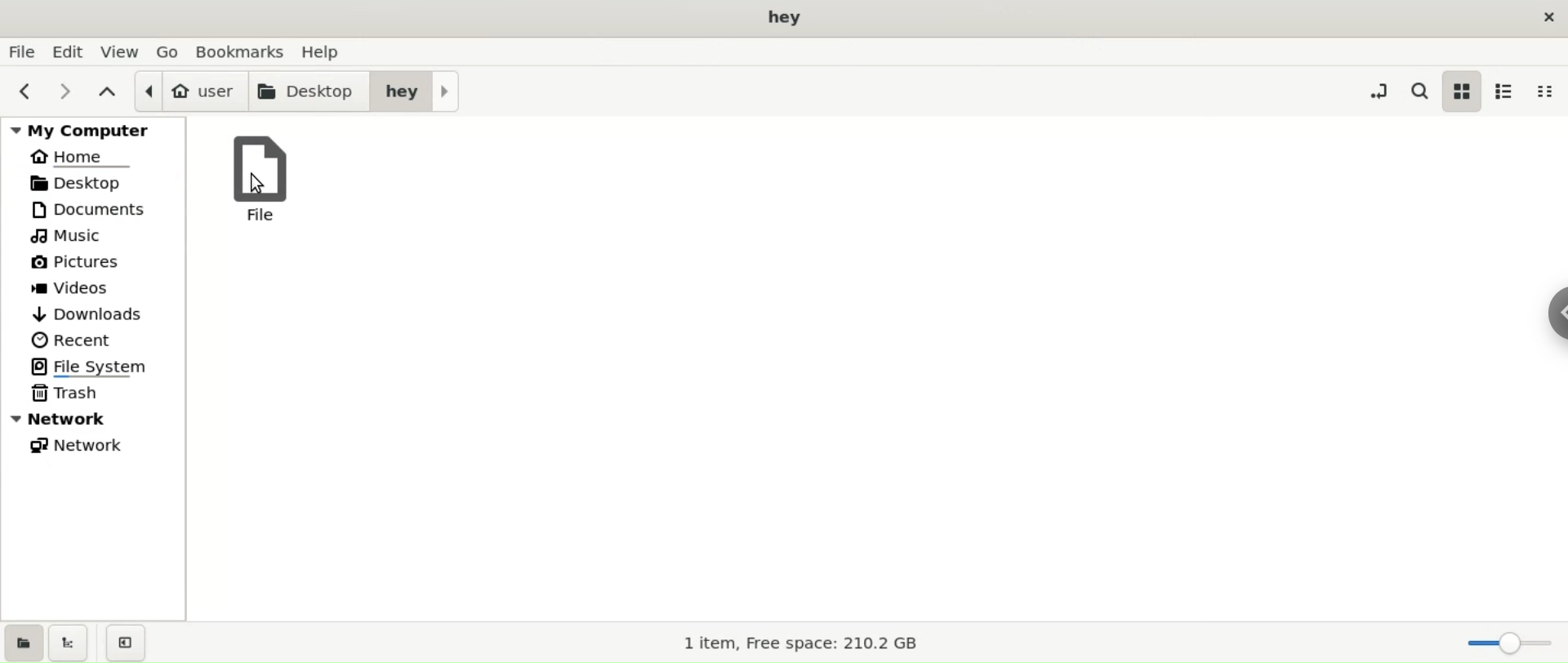 The width and height of the screenshot is (1568, 663). What do you see at coordinates (256, 181) in the screenshot?
I see `cursor` at bounding box center [256, 181].